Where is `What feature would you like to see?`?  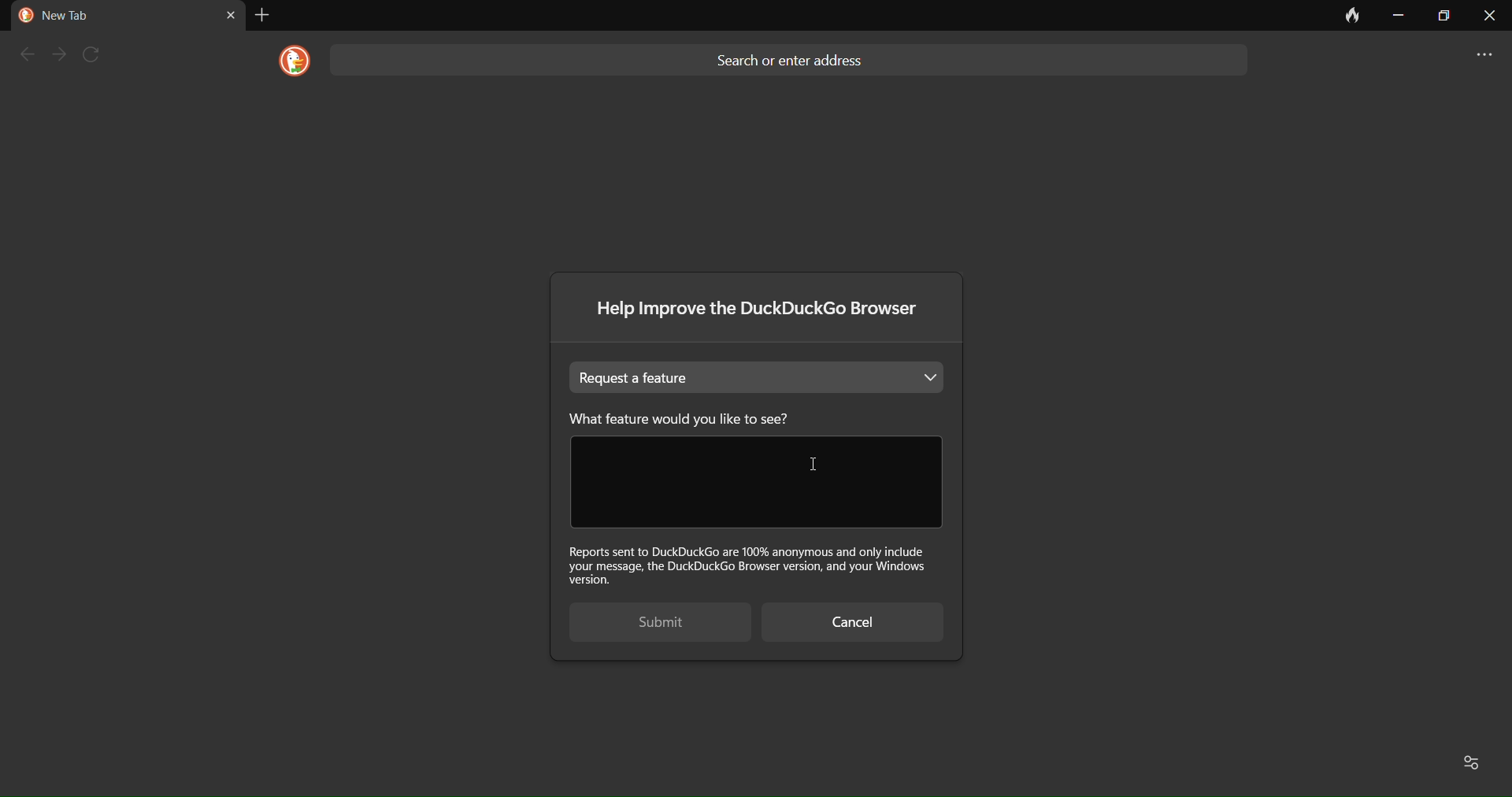
What feature would you like to see? is located at coordinates (707, 418).